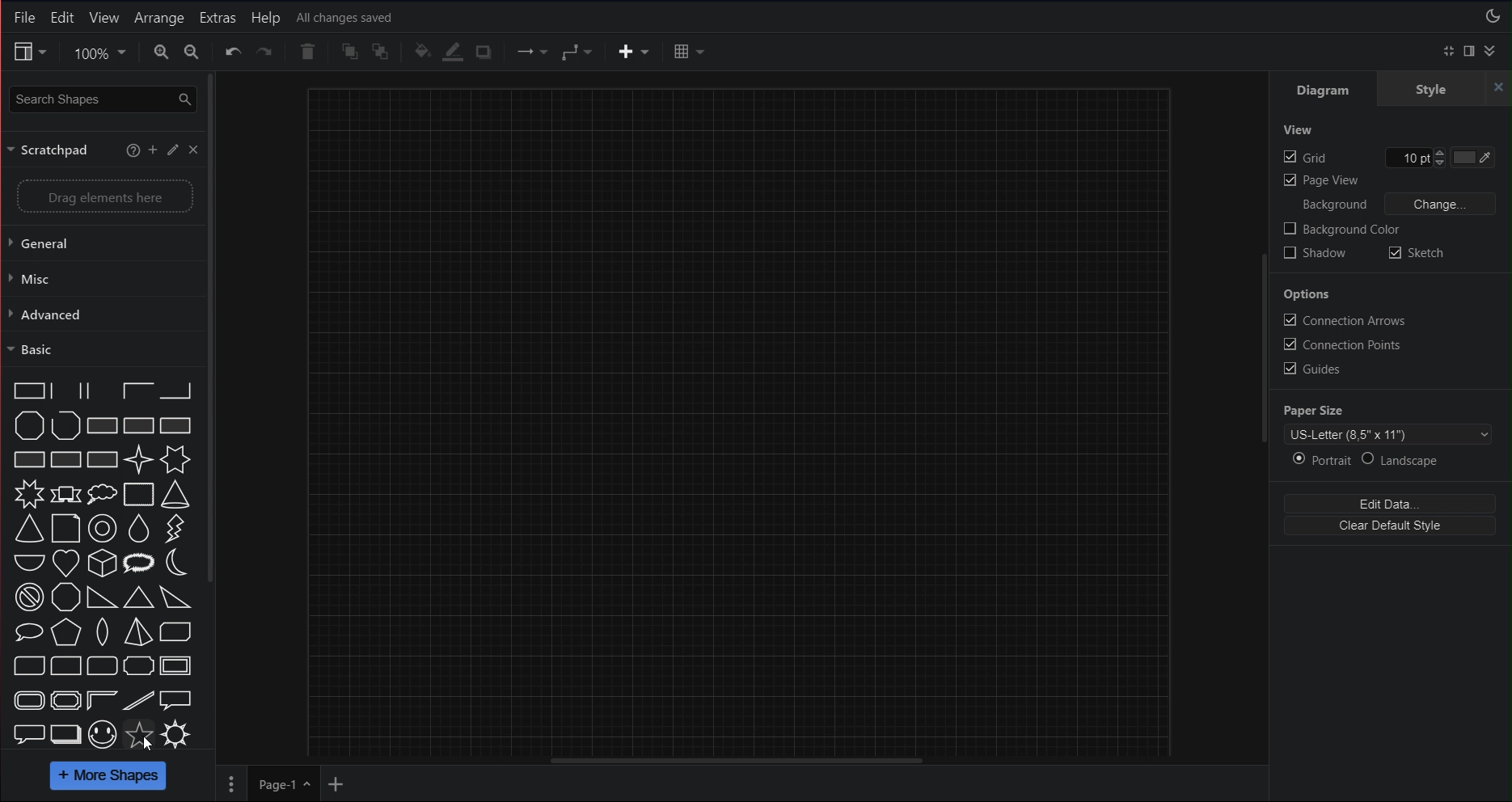 The height and width of the screenshot is (802, 1512). Describe the element at coordinates (28, 52) in the screenshot. I see `View` at that location.